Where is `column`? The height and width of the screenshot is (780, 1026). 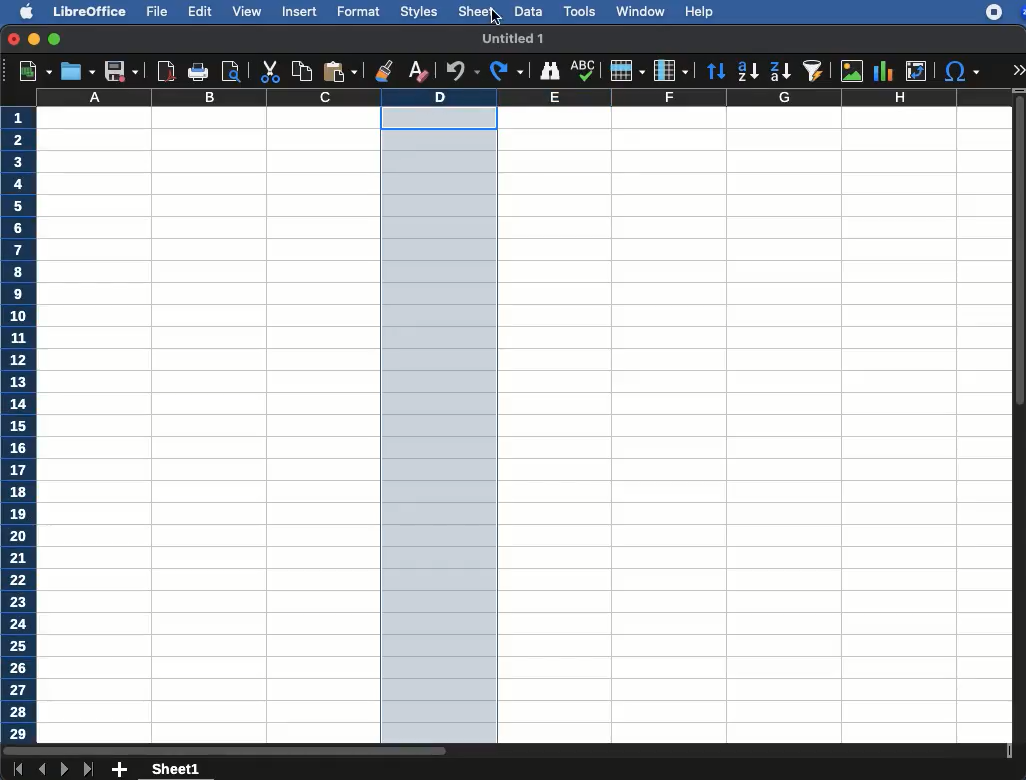
column is located at coordinates (524, 98).